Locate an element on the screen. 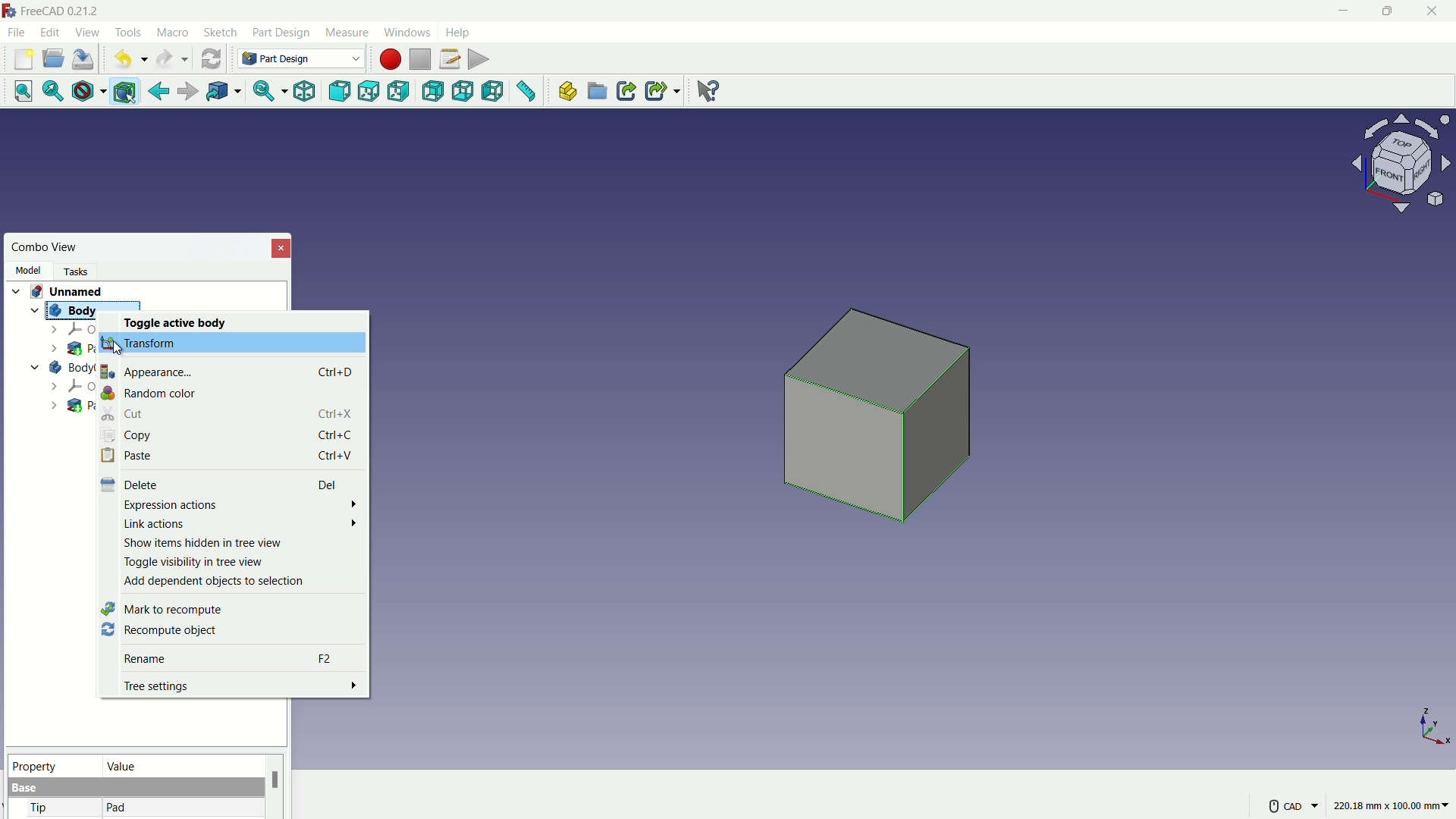 This screenshot has width=1456, height=819. fit all is located at coordinates (18, 90).